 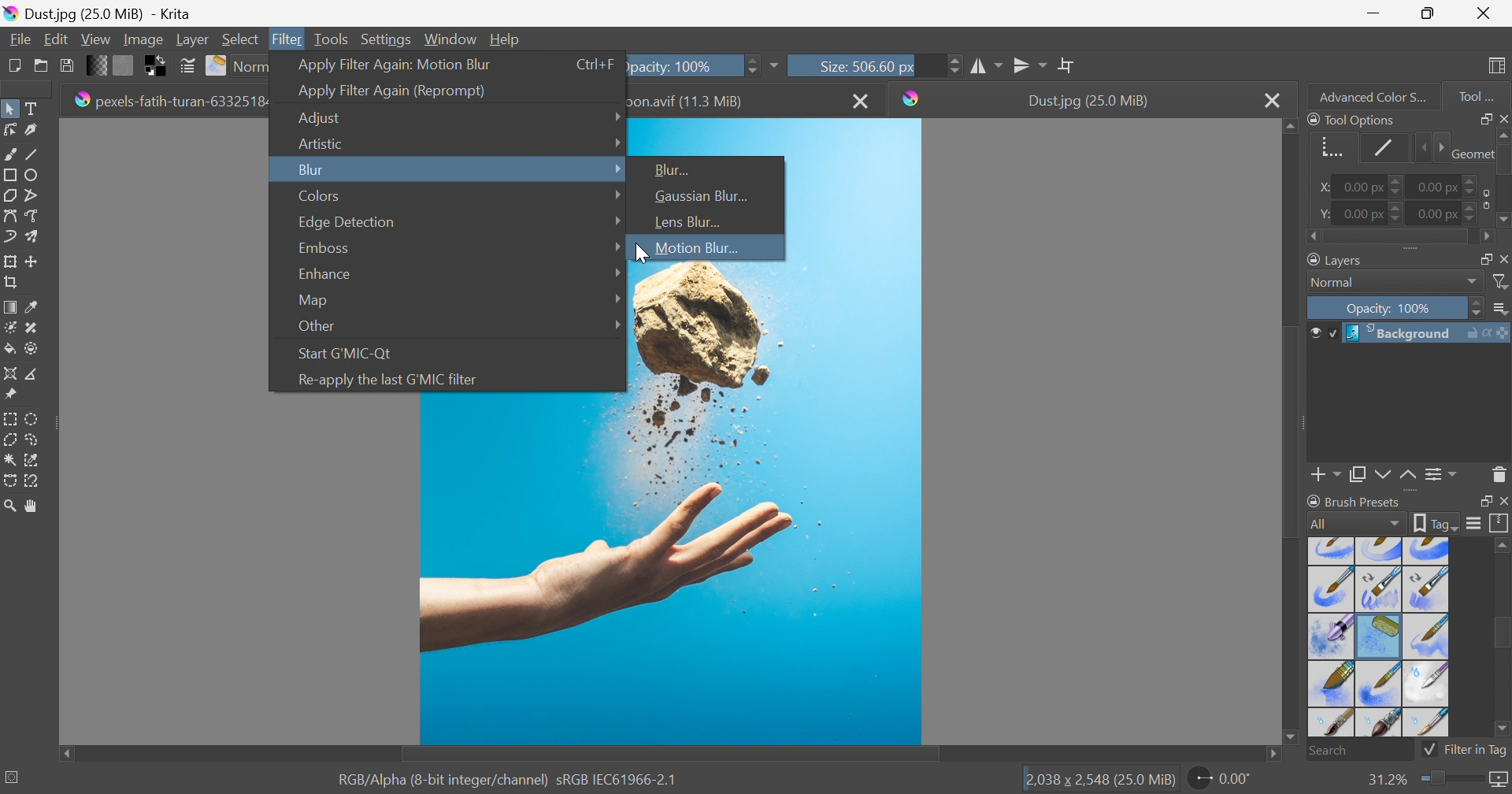 I want to click on Drop Down, so click(x=1502, y=310).